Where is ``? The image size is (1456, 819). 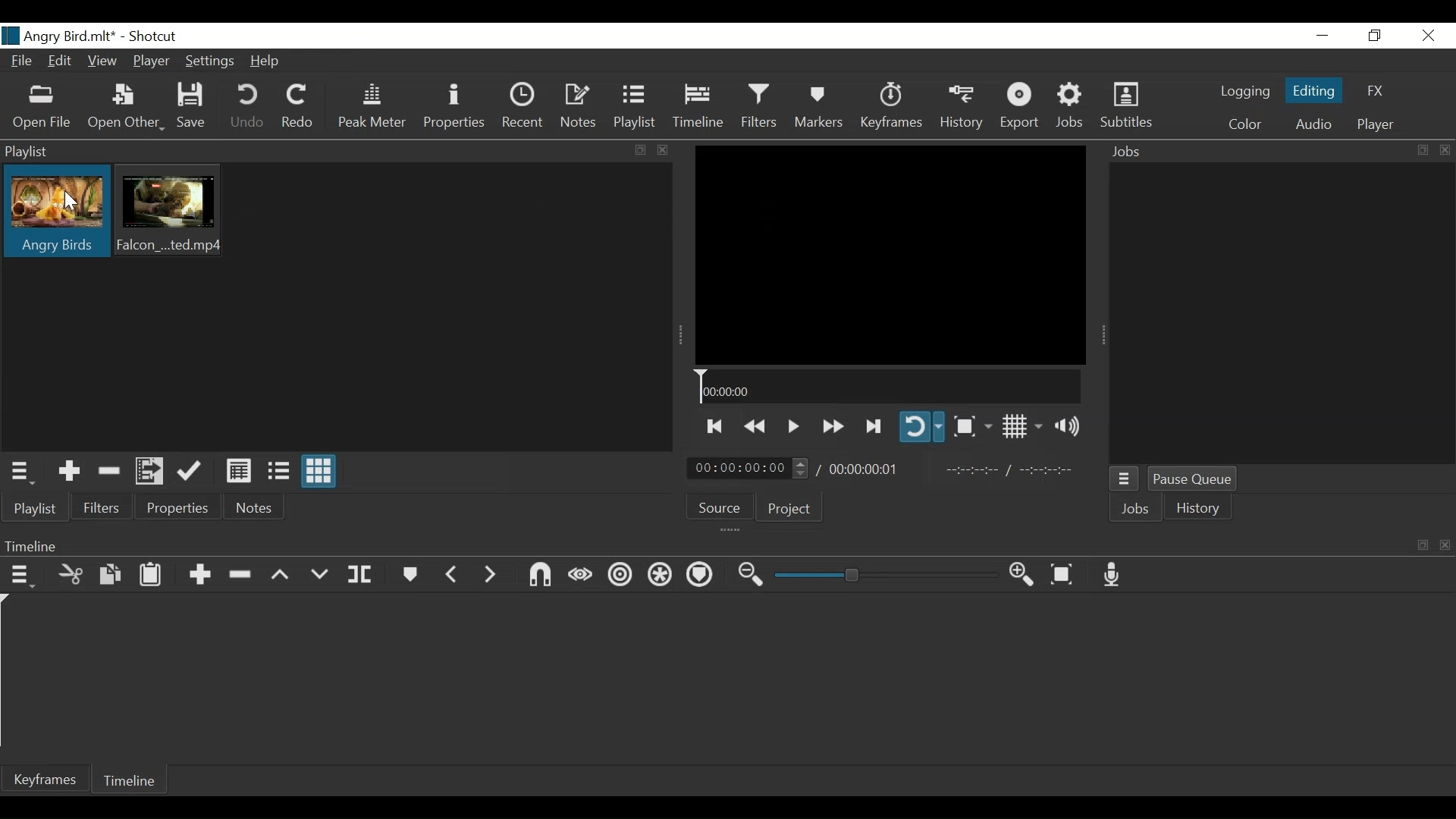
 is located at coordinates (729, 544).